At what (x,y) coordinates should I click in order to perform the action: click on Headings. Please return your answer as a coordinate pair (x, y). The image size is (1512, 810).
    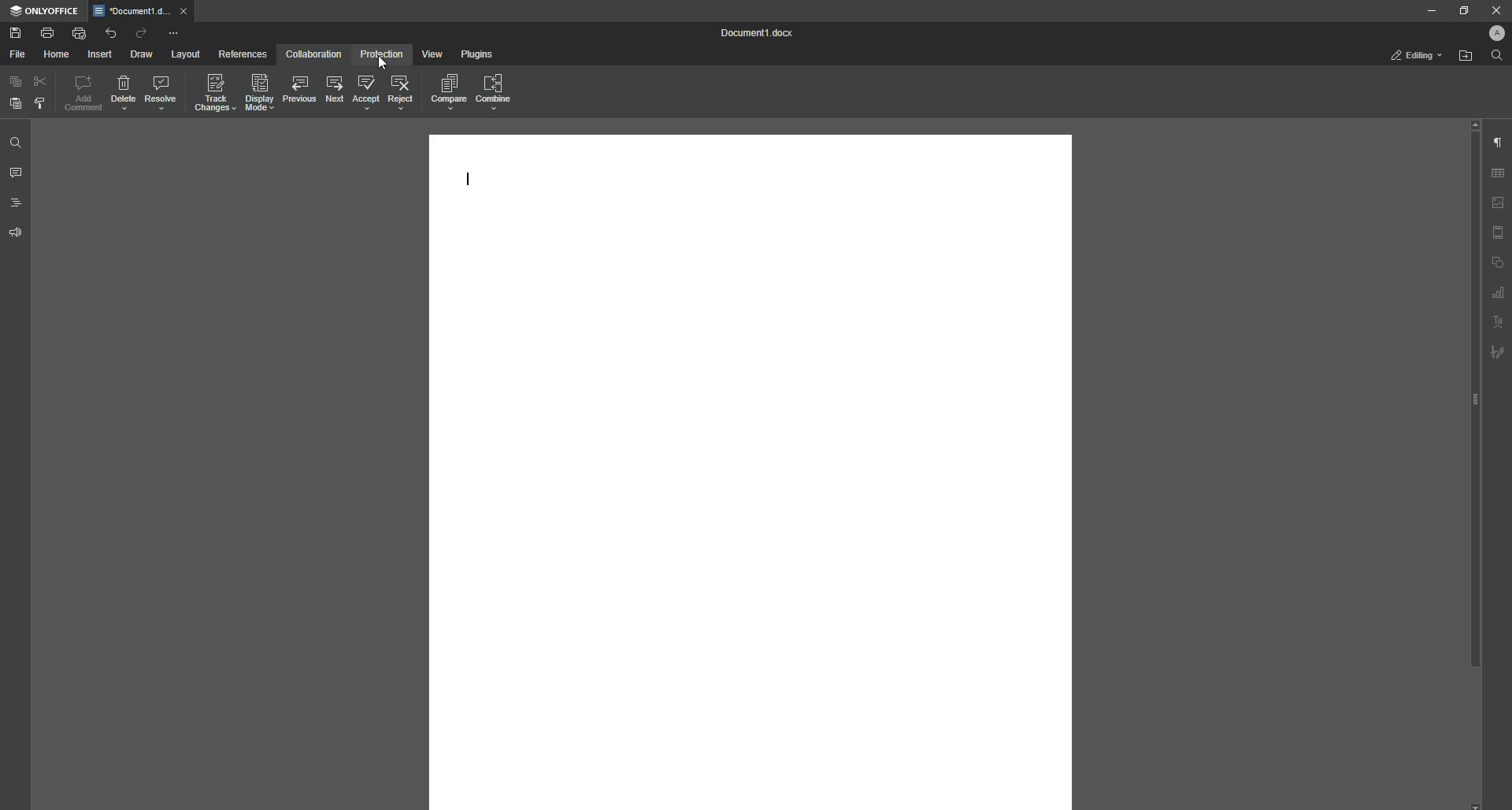
    Looking at the image, I should click on (17, 201).